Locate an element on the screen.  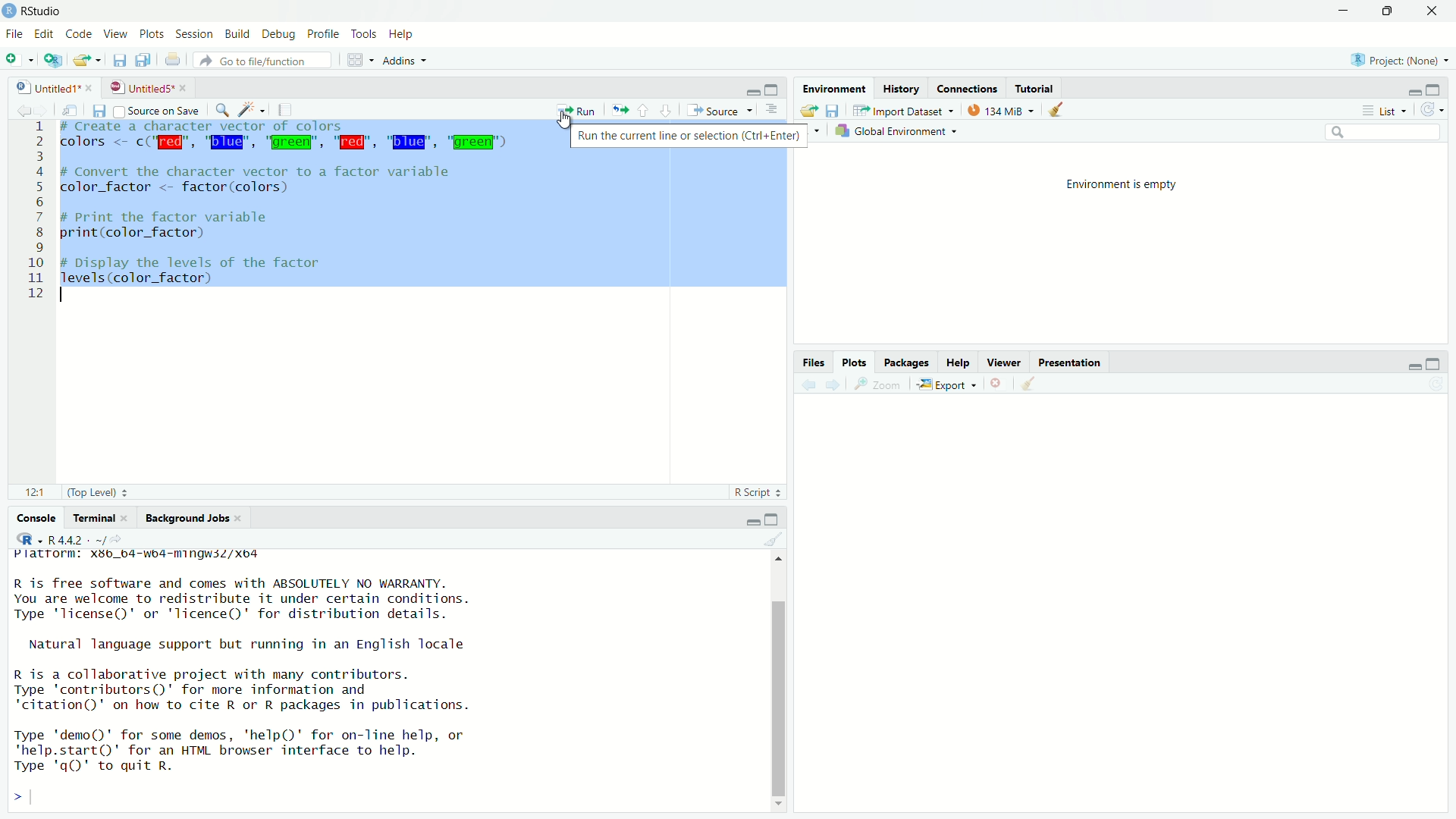
print the current file is located at coordinates (173, 59).